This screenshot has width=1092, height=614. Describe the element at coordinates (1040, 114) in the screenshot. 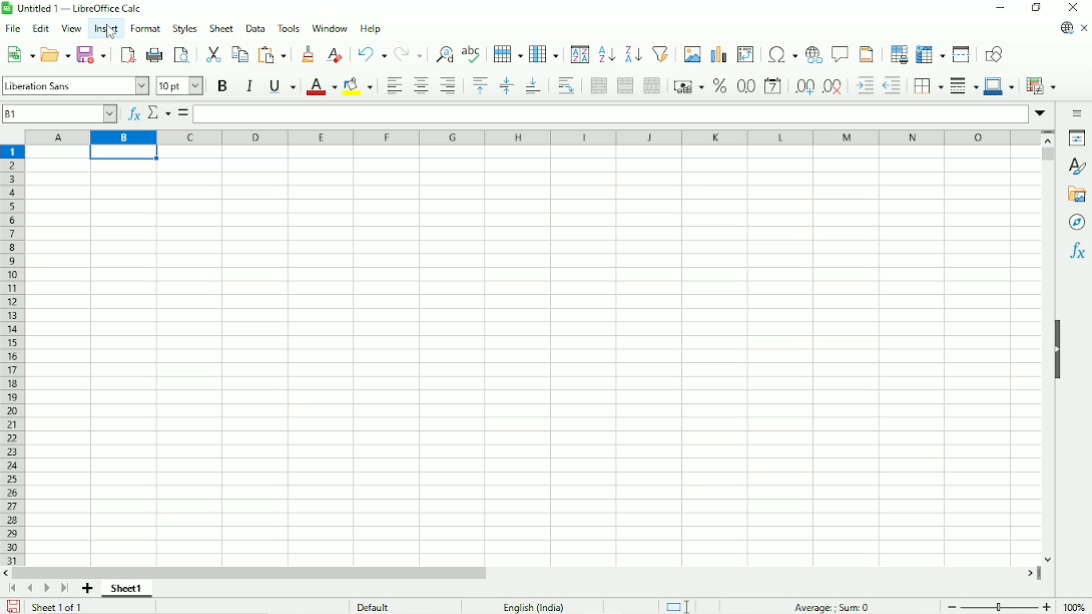

I see `Expand formula bar` at that location.